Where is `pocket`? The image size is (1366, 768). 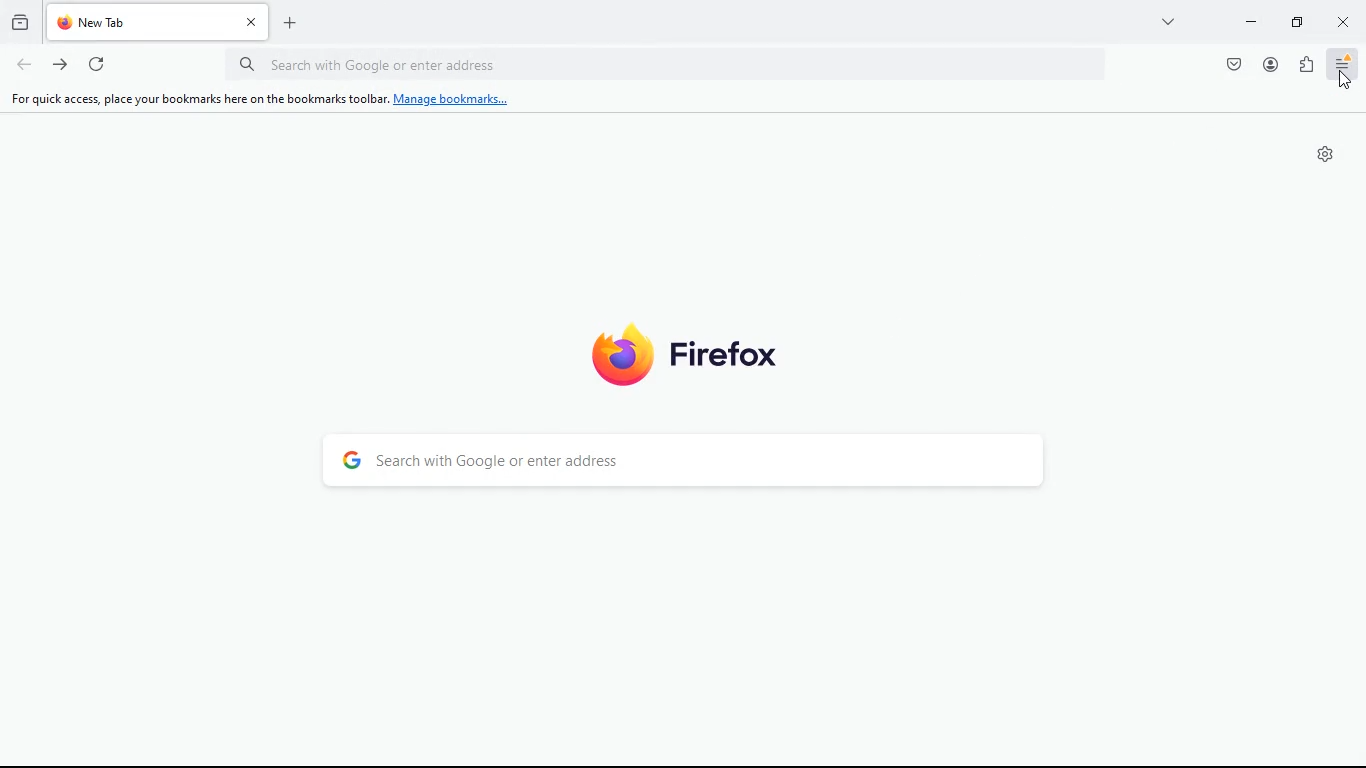 pocket is located at coordinates (1234, 64).